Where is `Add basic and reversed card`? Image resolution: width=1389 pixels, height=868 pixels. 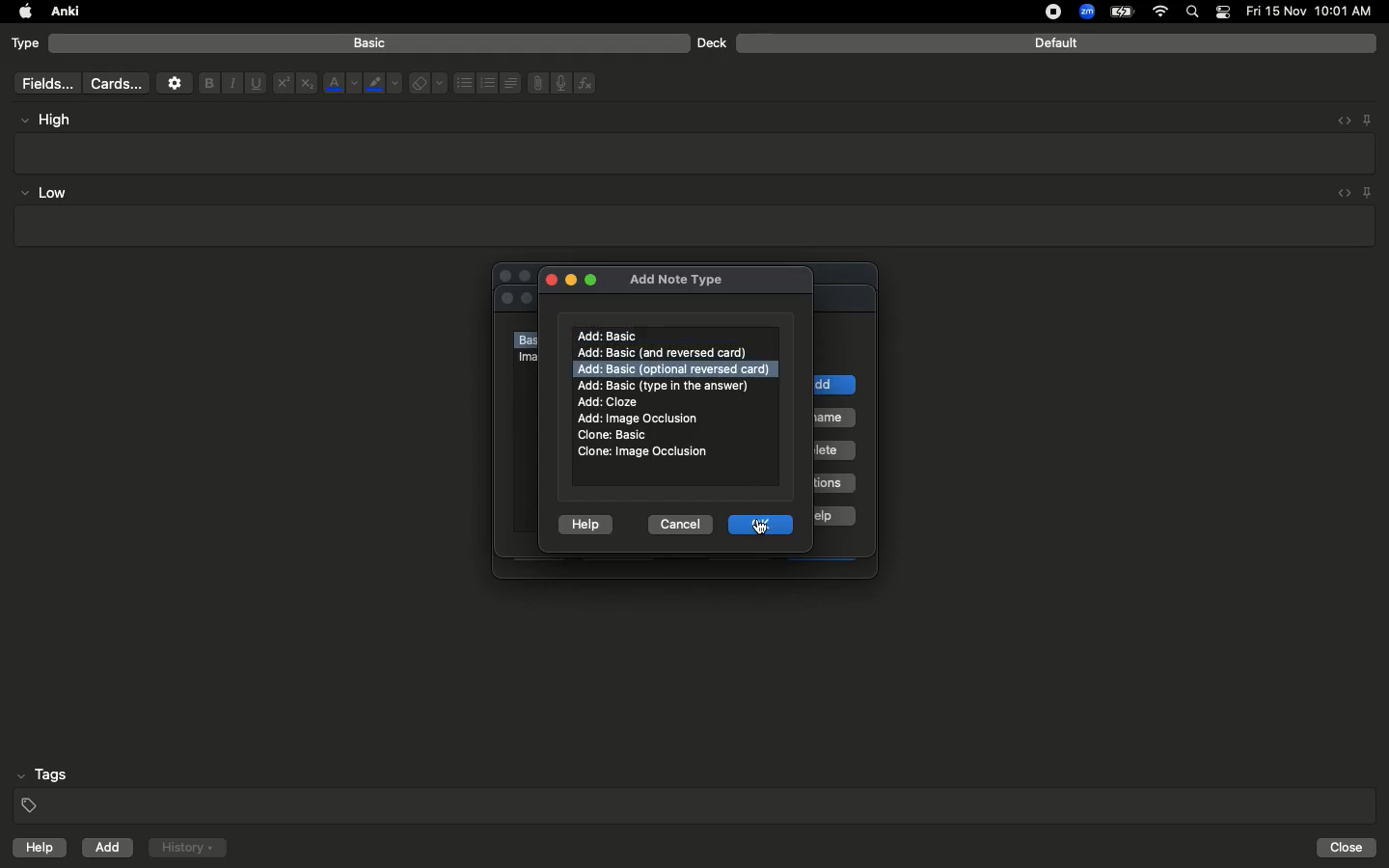
Add basic and reversed card is located at coordinates (672, 353).